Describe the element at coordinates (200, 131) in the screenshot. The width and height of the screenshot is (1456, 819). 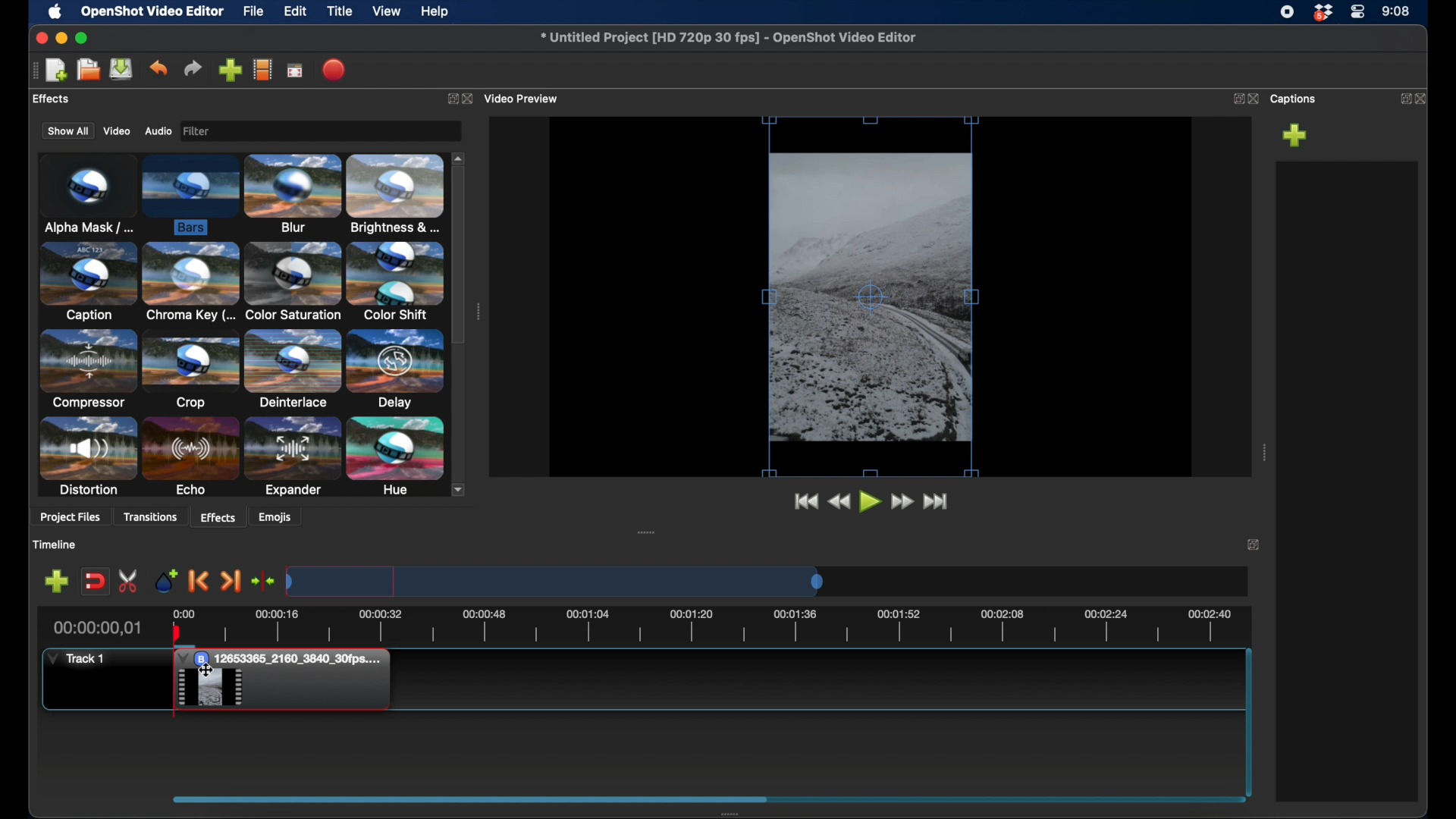
I see `image` at that location.